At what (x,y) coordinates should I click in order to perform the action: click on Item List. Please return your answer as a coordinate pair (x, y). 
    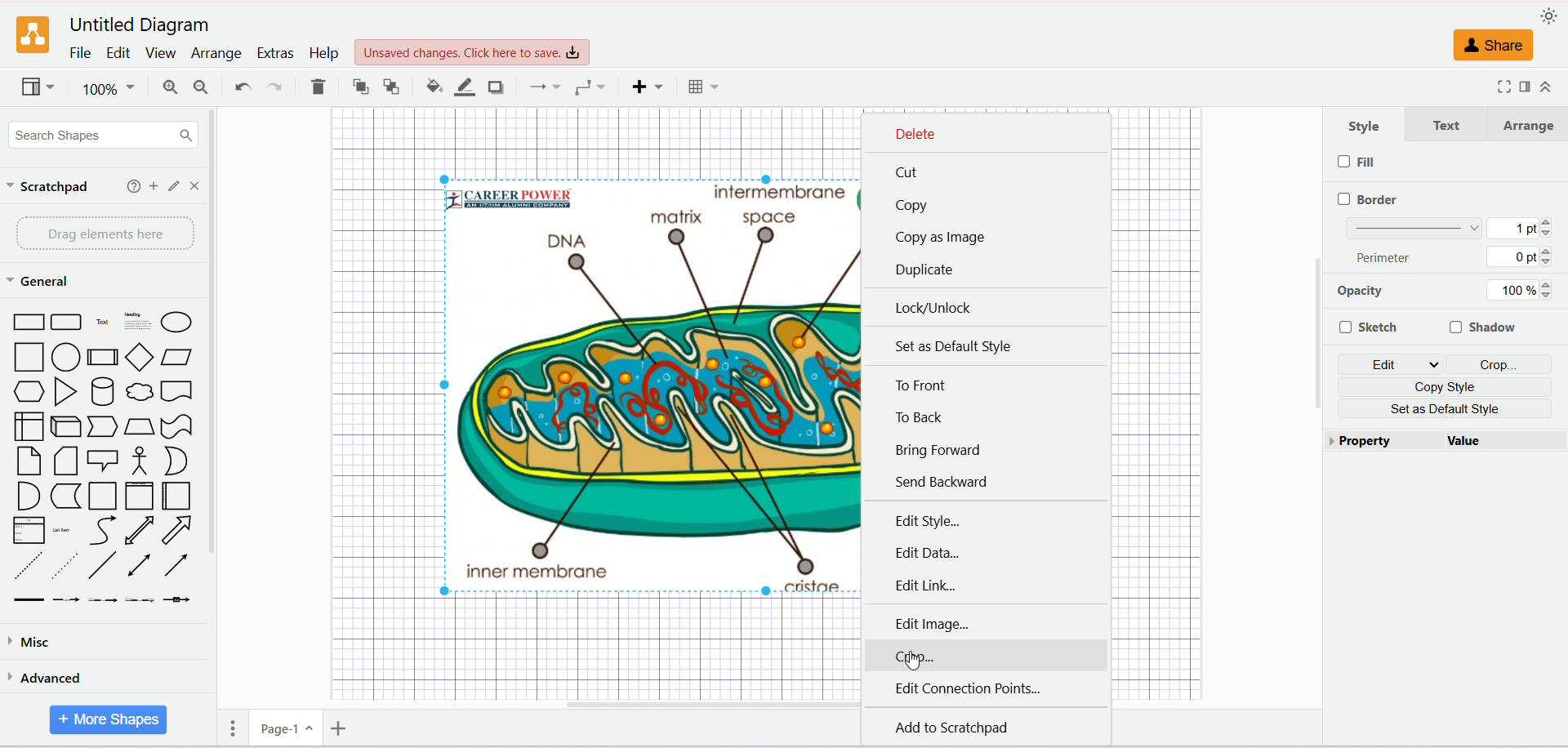
    Looking at the image, I should click on (30, 530).